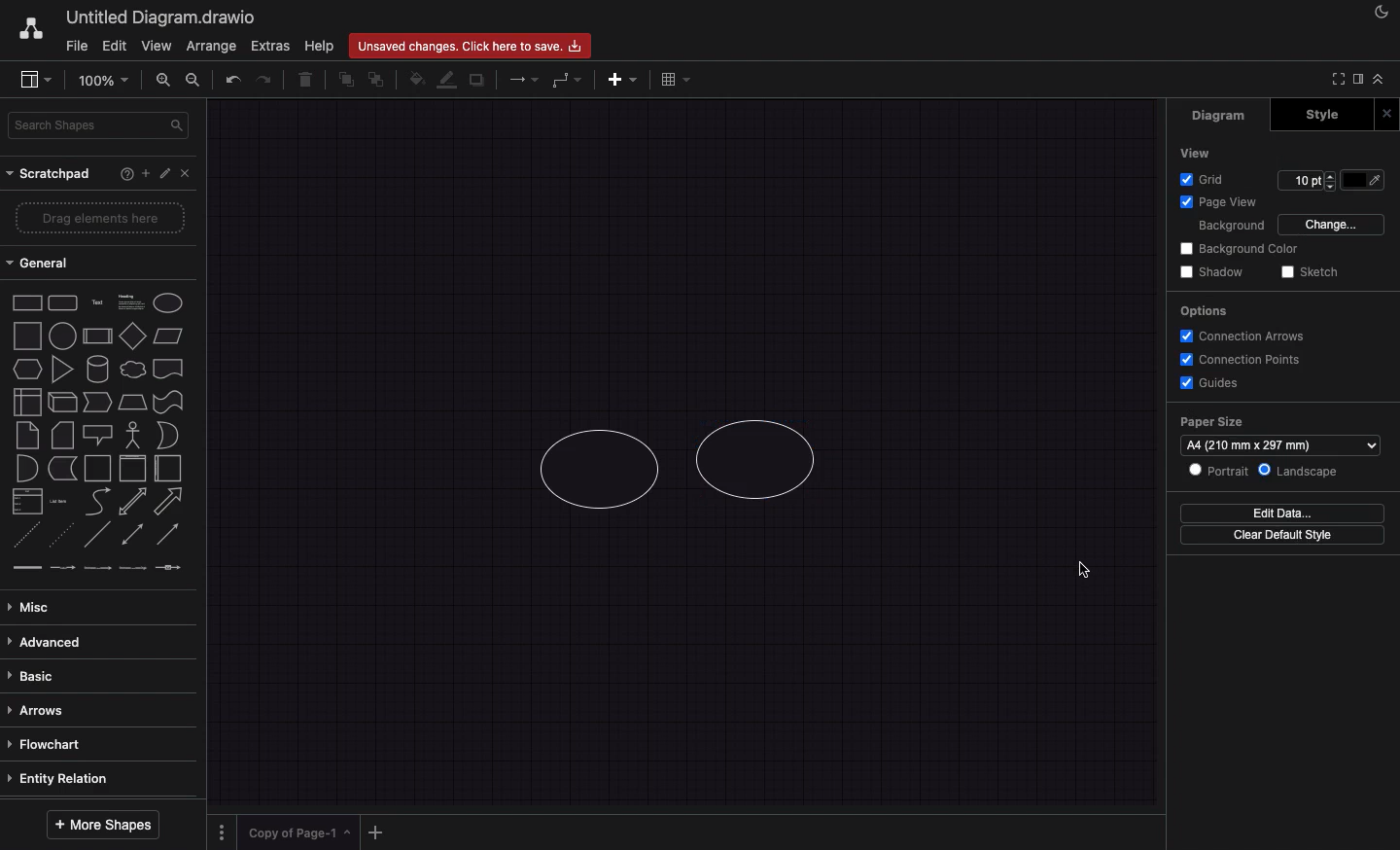 The width and height of the screenshot is (1400, 850). Describe the element at coordinates (231, 80) in the screenshot. I see `undo` at that location.